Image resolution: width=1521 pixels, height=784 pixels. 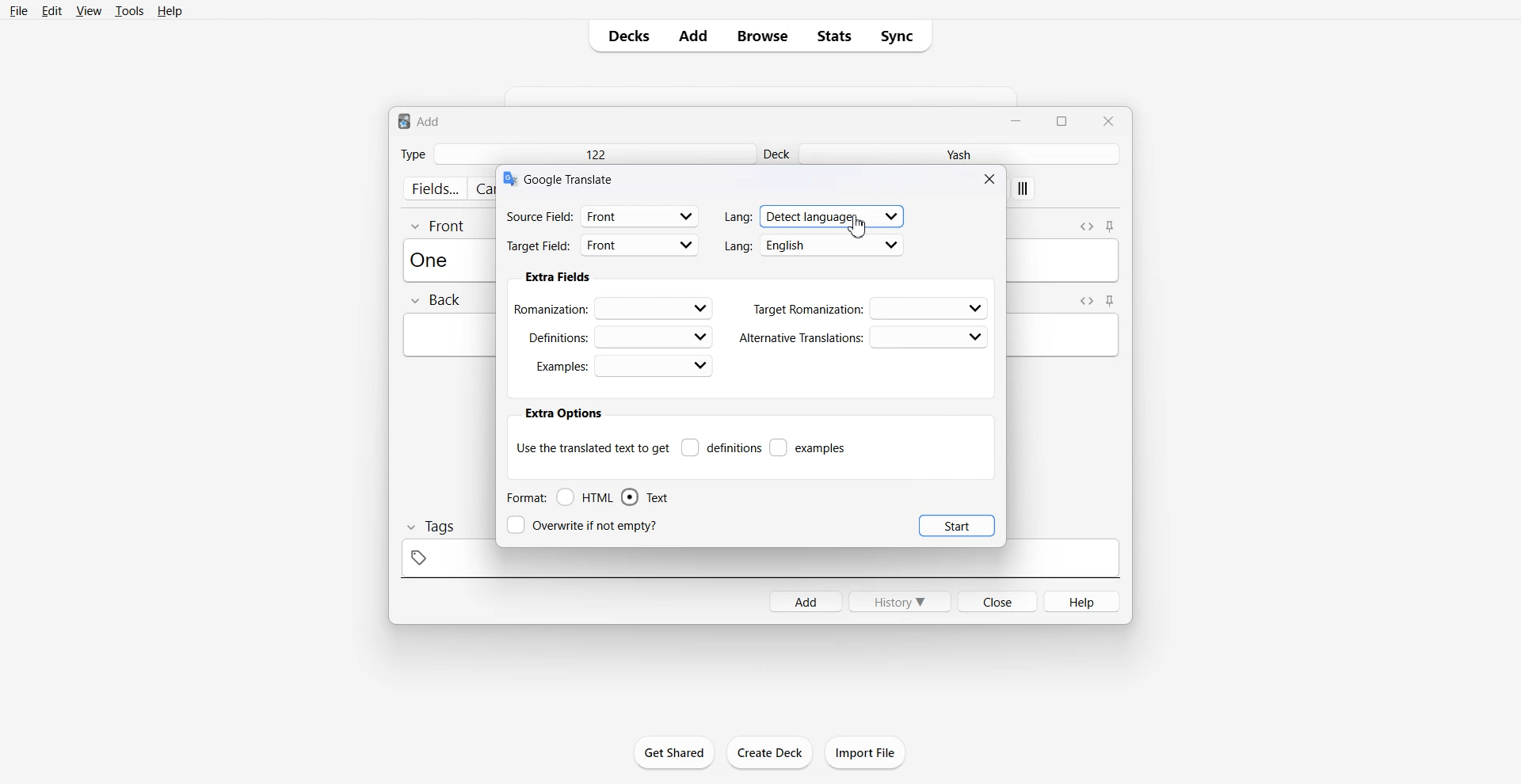 I want to click on tag space, so click(x=760, y=563).